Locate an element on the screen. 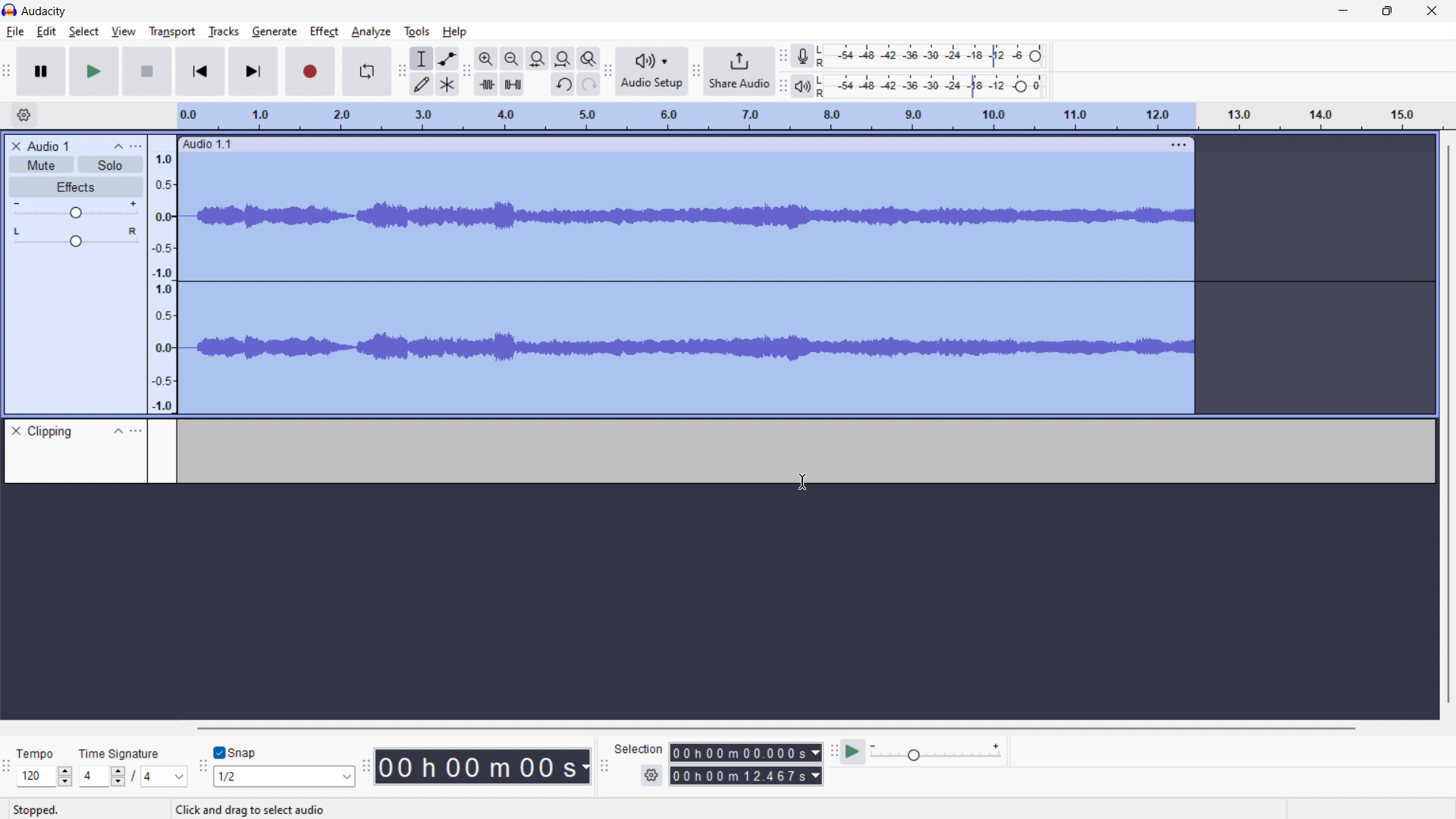 The image size is (1456, 819). close is located at coordinates (1432, 9).